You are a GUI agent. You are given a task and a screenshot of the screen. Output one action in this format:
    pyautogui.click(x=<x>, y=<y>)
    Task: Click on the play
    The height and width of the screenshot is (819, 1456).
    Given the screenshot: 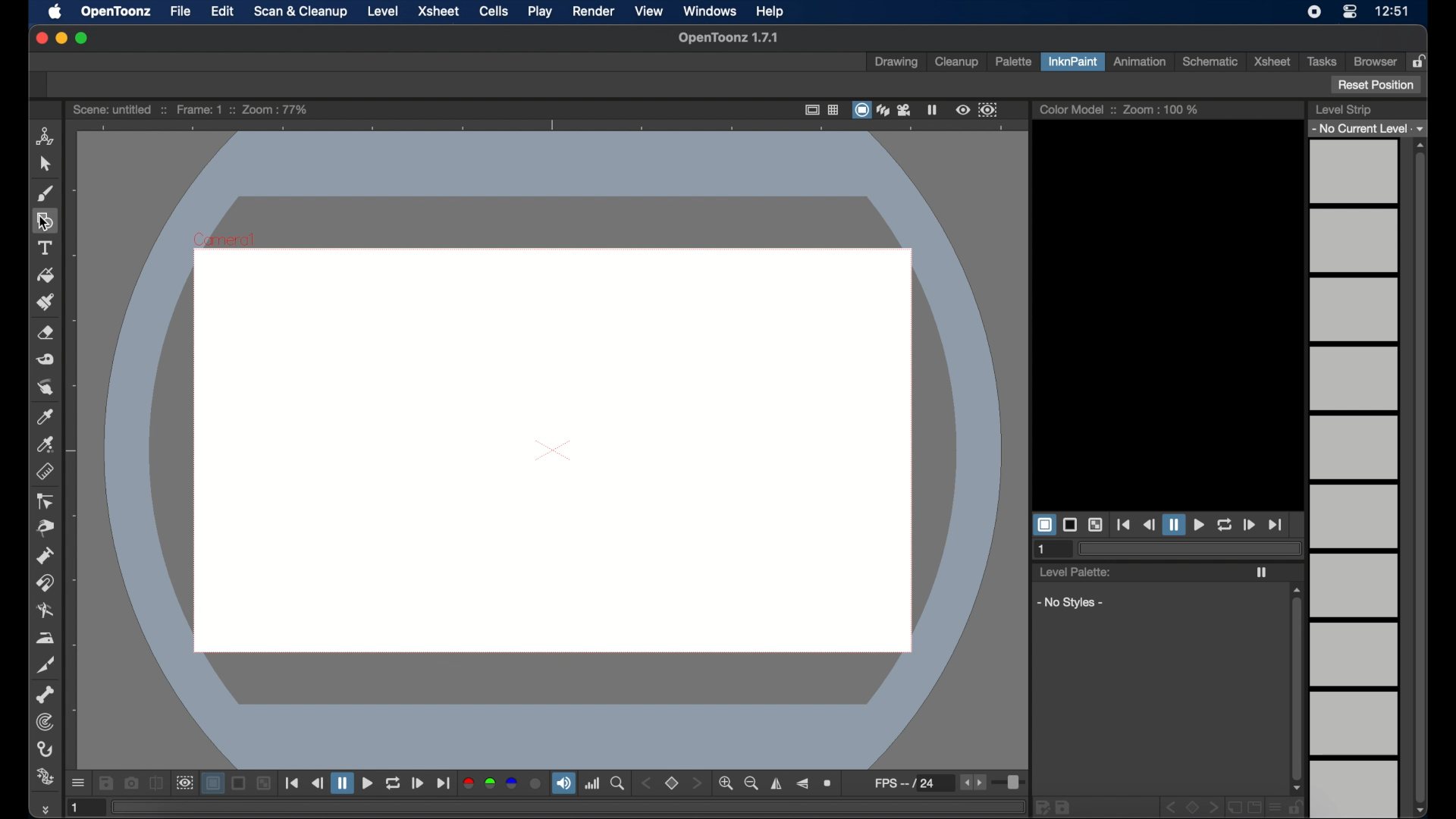 What is the action you would take?
    pyautogui.click(x=541, y=11)
    